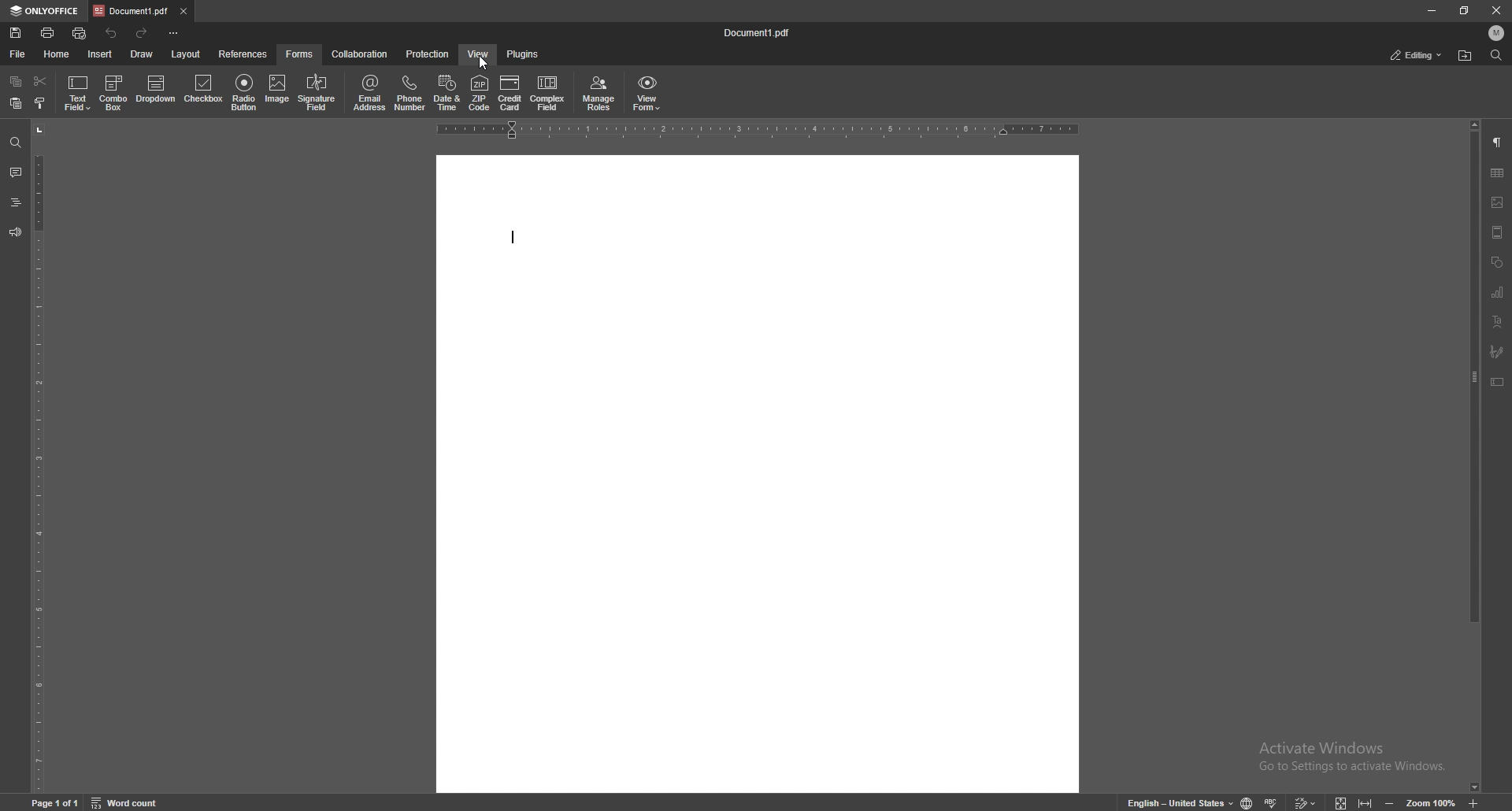 Image resolution: width=1512 pixels, height=811 pixels. What do you see at coordinates (113, 92) in the screenshot?
I see `combo box` at bounding box center [113, 92].